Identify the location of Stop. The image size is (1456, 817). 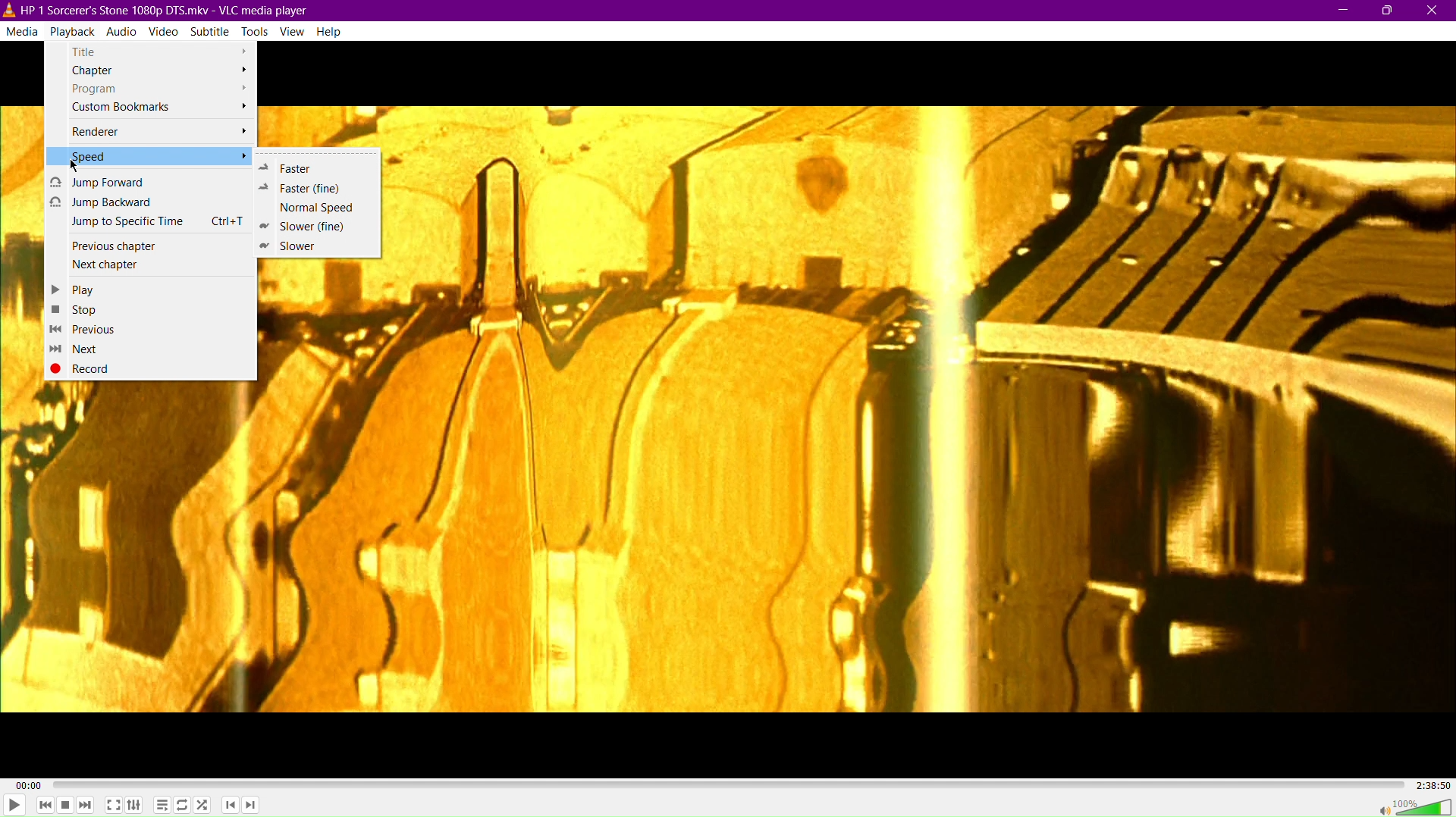
(66, 806).